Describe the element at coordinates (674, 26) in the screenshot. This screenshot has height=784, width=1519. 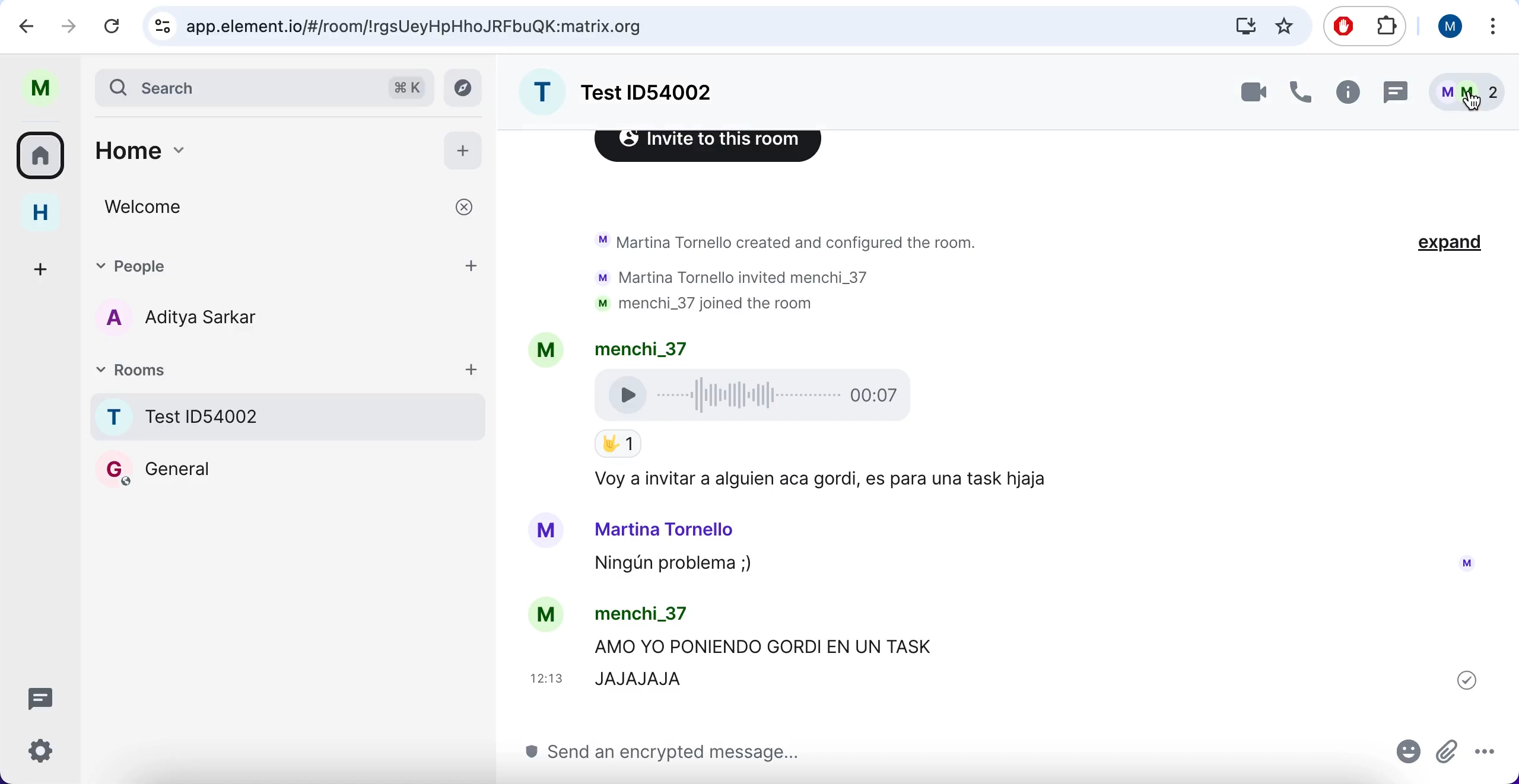
I see `search` at that location.